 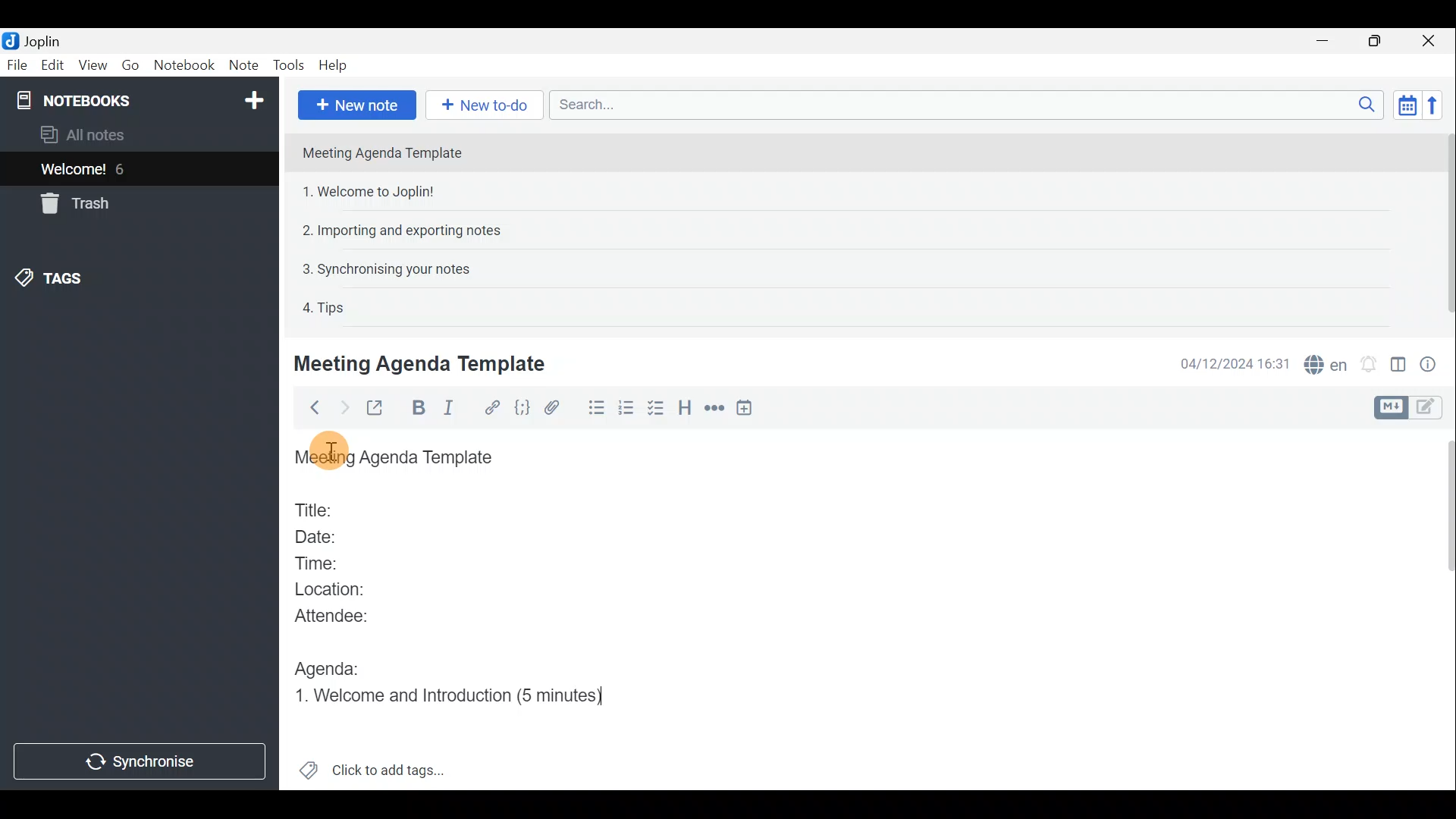 I want to click on Maximise, so click(x=1376, y=42).